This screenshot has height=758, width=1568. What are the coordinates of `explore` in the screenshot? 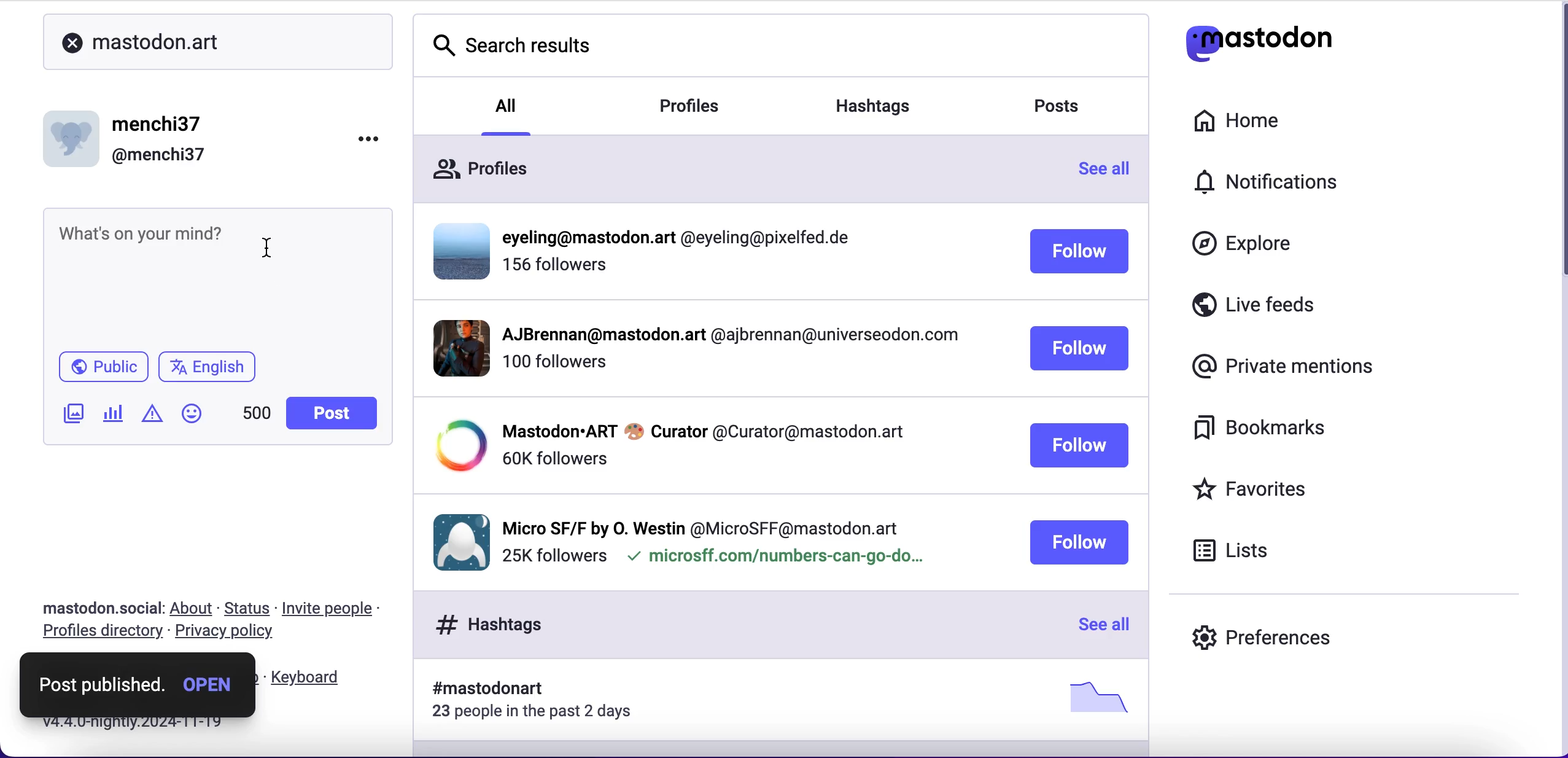 It's located at (1246, 249).